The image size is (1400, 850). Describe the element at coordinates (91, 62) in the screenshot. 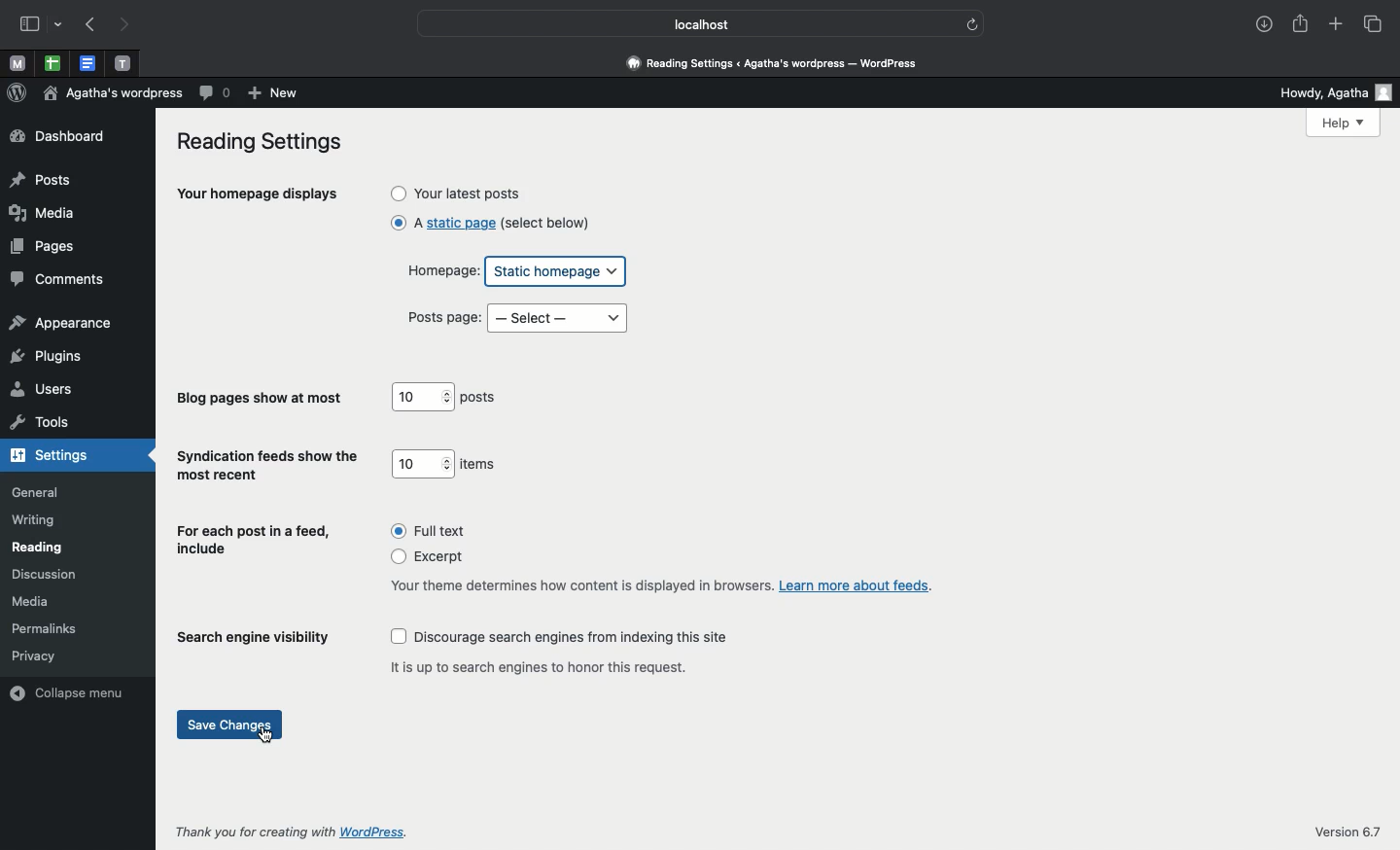

I see `Pinned tabs` at that location.